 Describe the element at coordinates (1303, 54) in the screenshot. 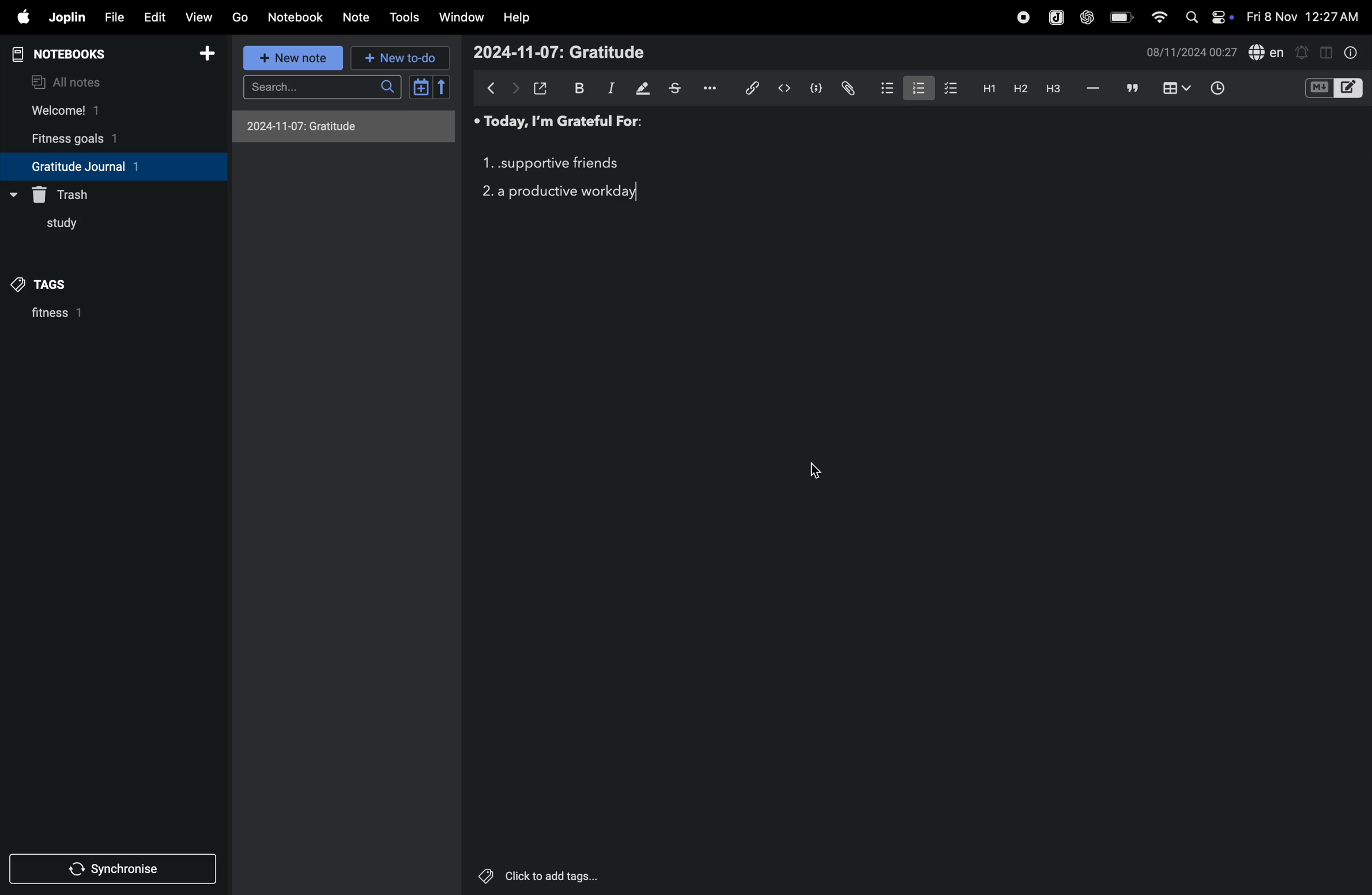

I see `create alert` at that location.